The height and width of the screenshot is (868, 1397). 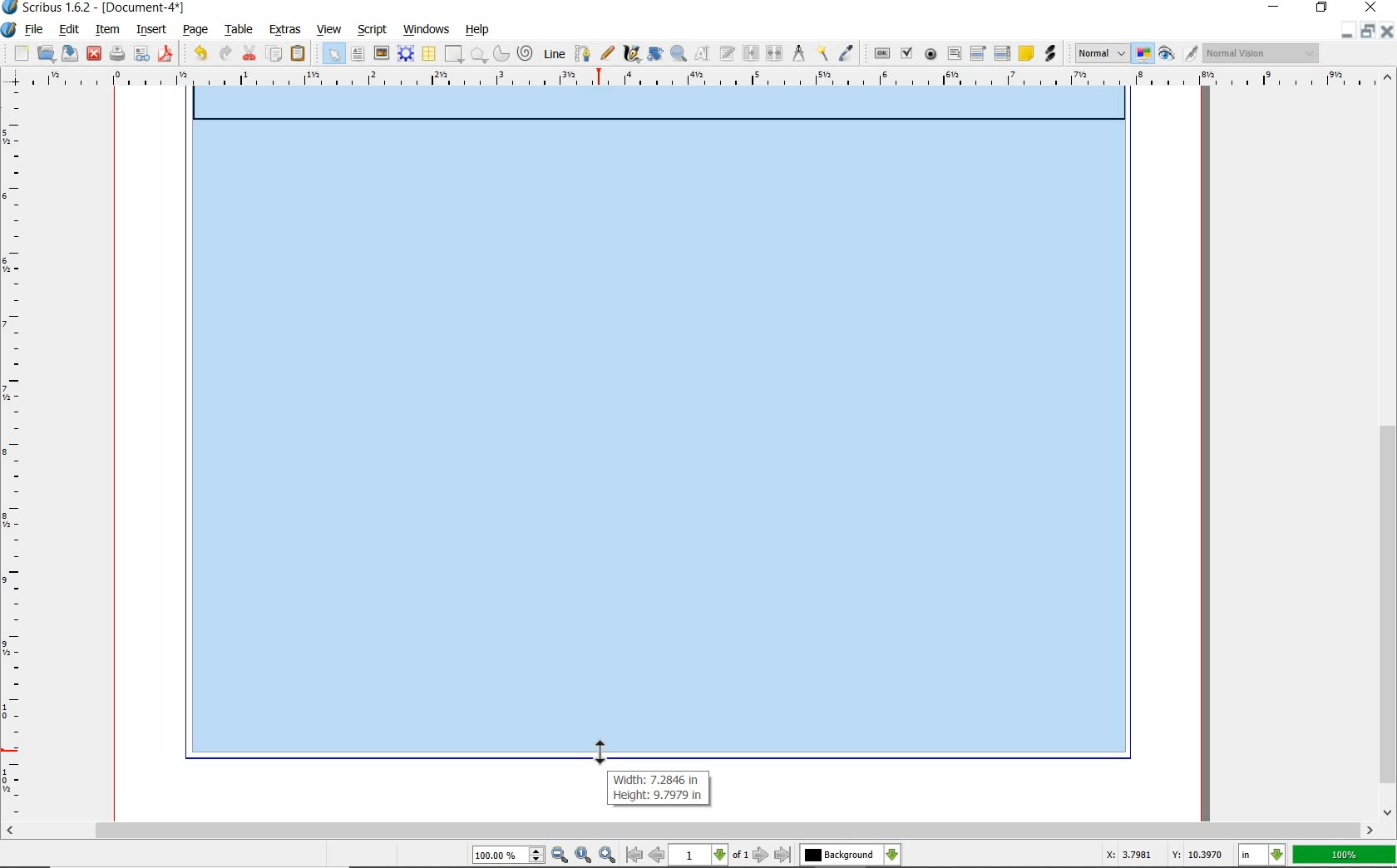 I want to click on minimize, so click(x=1275, y=7).